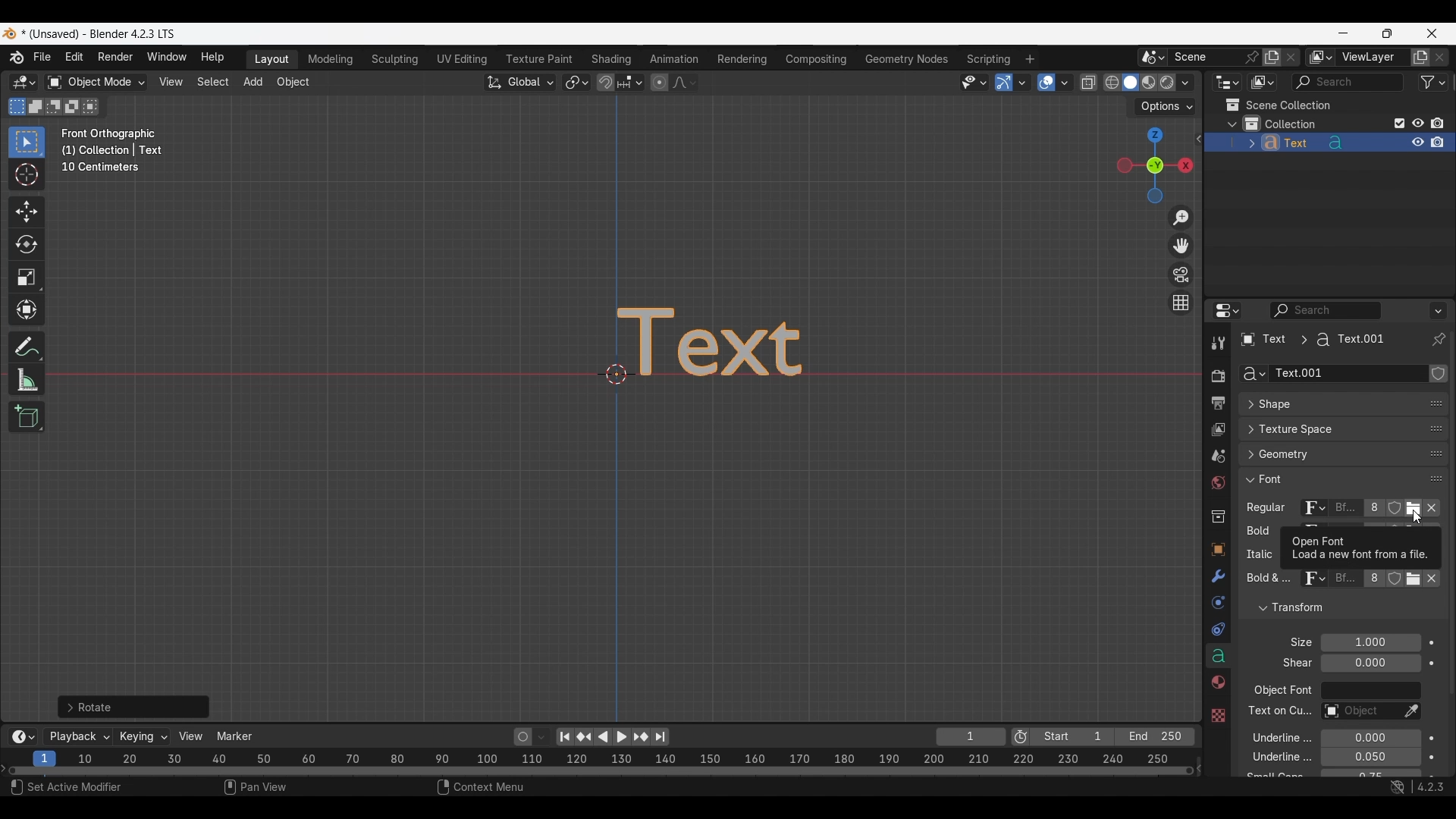  What do you see at coordinates (1216, 577) in the screenshot?
I see `Modifiers` at bounding box center [1216, 577].